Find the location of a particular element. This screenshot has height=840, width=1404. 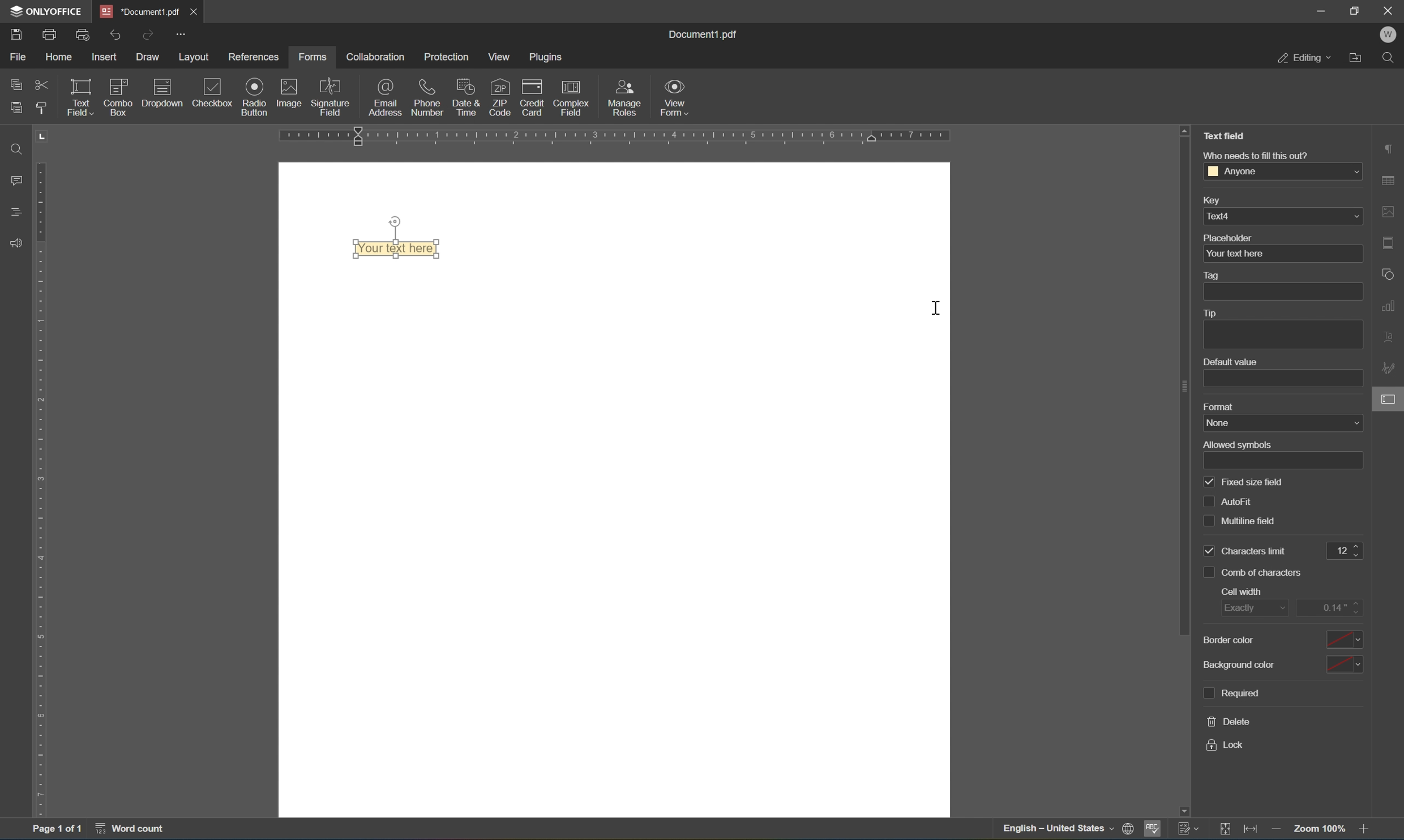

 is located at coordinates (254, 97).